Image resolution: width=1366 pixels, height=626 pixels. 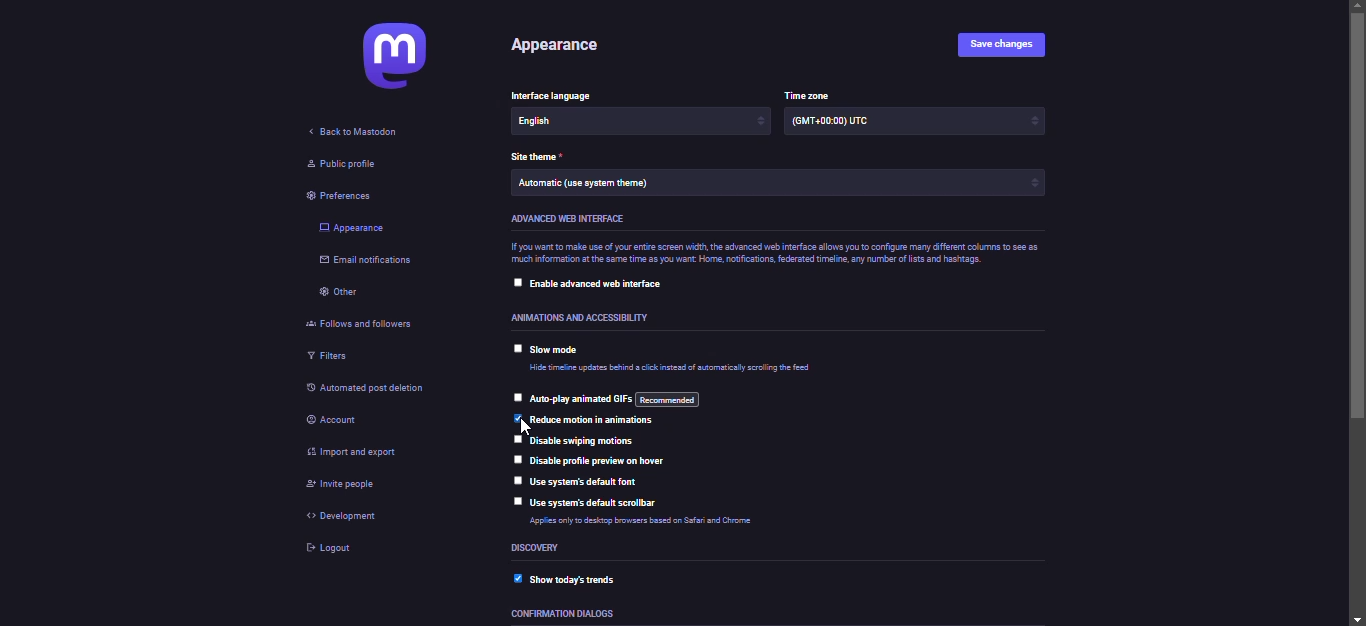 What do you see at coordinates (348, 196) in the screenshot?
I see `preferences` at bounding box center [348, 196].